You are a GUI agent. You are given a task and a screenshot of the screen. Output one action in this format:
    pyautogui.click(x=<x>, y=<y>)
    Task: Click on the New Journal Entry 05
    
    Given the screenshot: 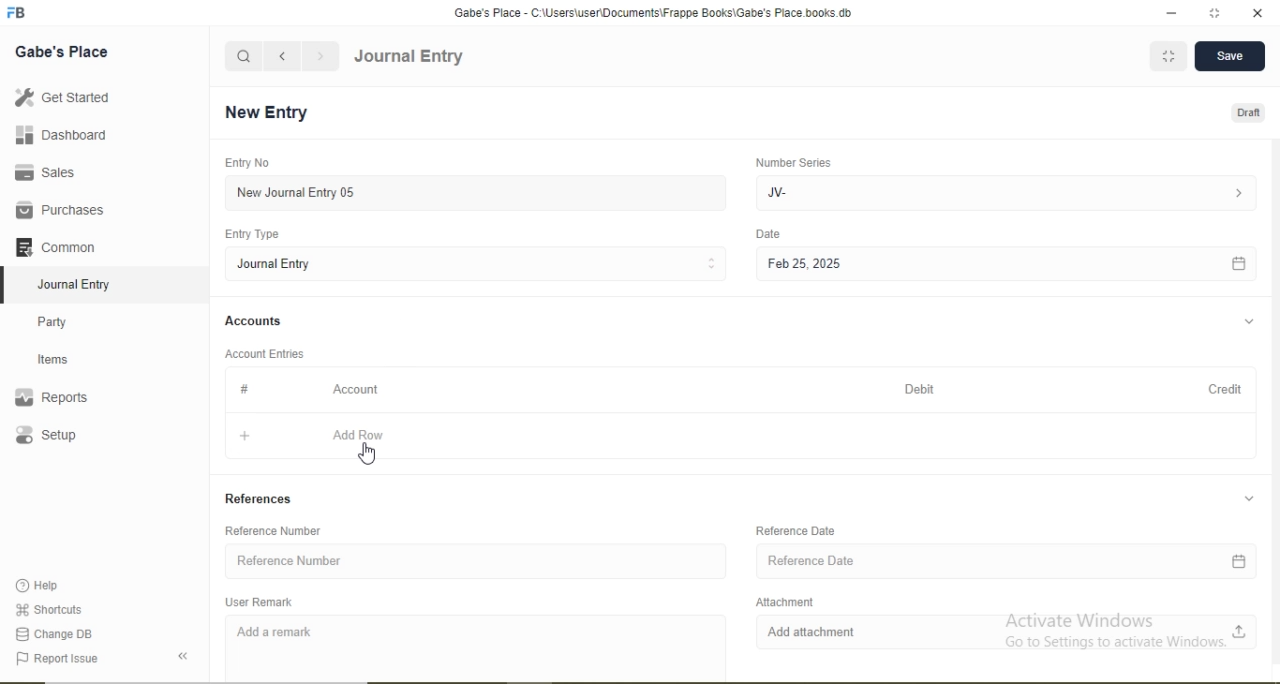 What is the action you would take?
    pyautogui.click(x=478, y=192)
    